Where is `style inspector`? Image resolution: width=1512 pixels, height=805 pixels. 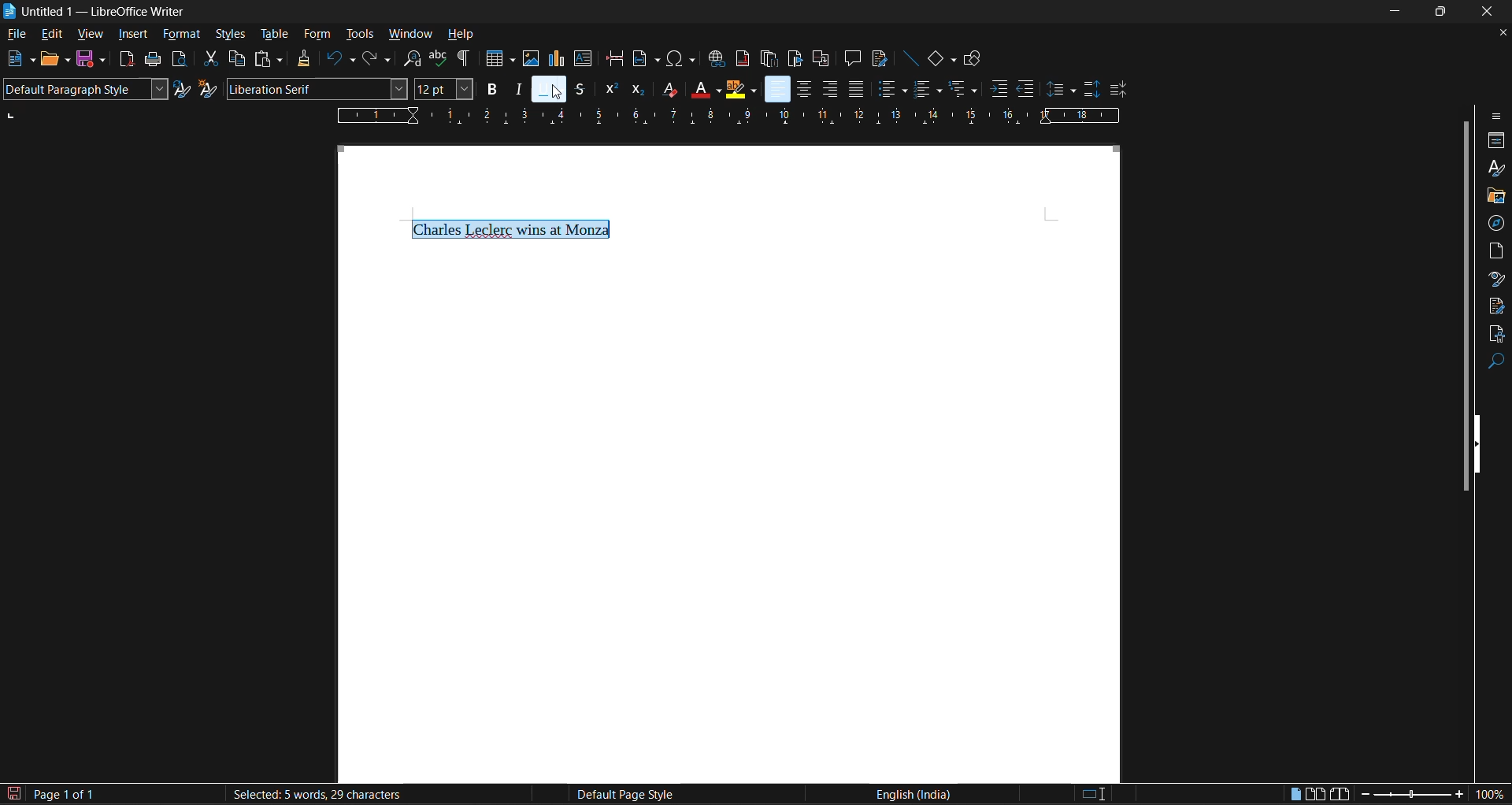
style inspector is located at coordinates (1496, 278).